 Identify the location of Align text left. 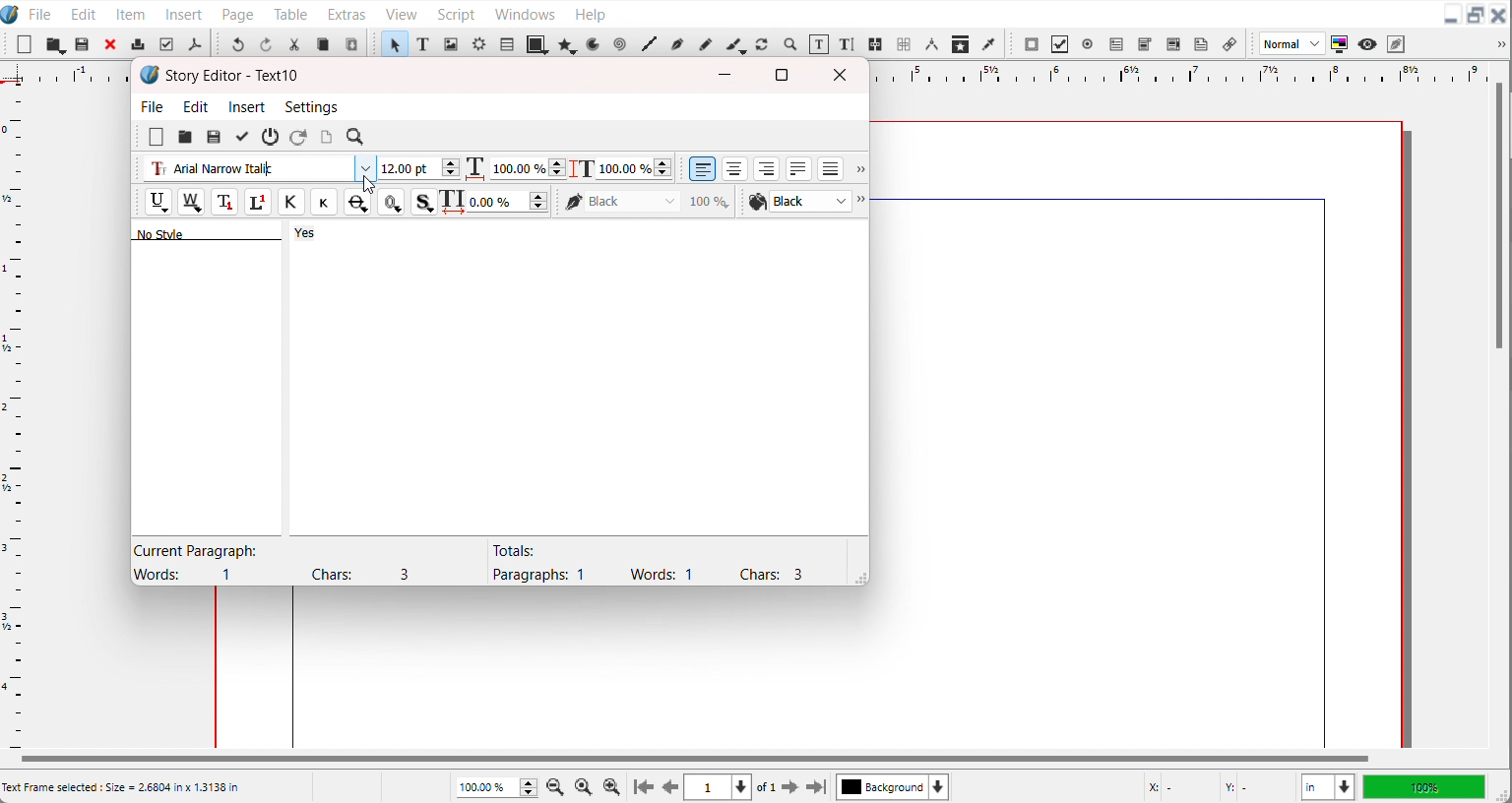
(703, 168).